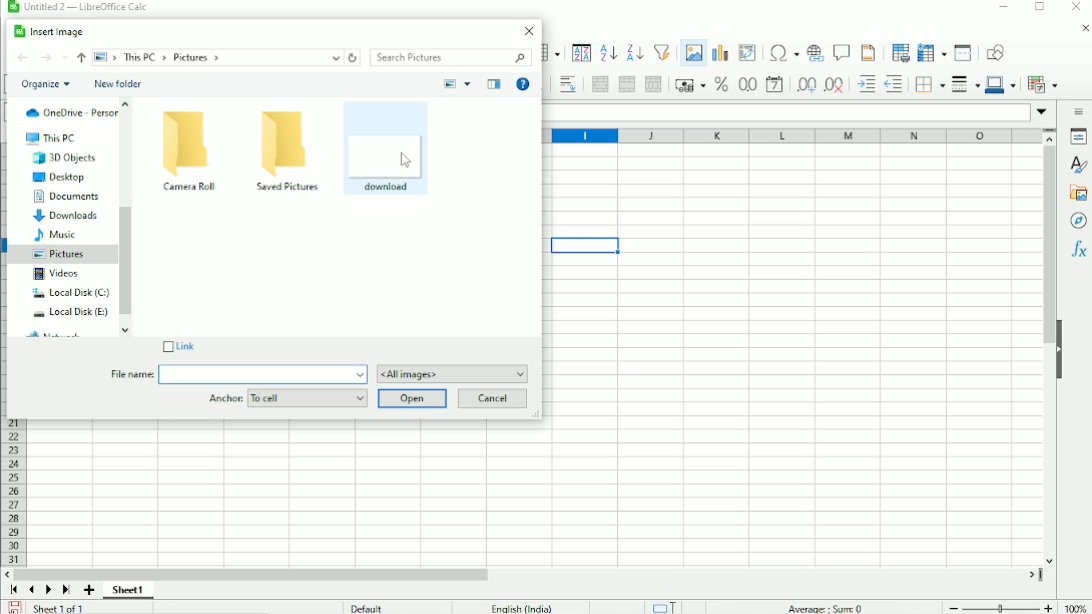  Describe the element at coordinates (71, 114) in the screenshot. I see `OneDrive-Personal` at that location.